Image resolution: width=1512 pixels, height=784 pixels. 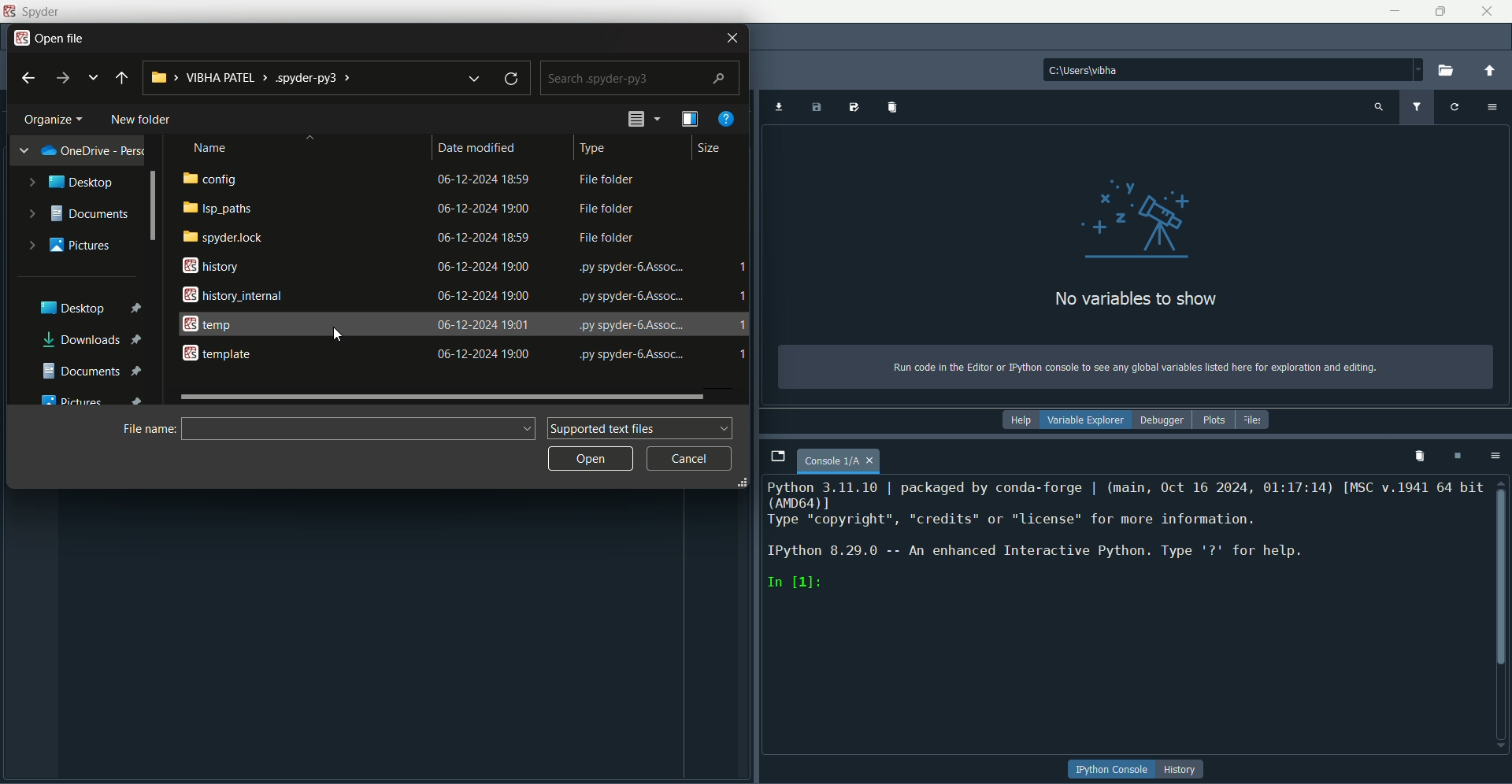 I want to click on debugger, so click(x=1165, y=421).